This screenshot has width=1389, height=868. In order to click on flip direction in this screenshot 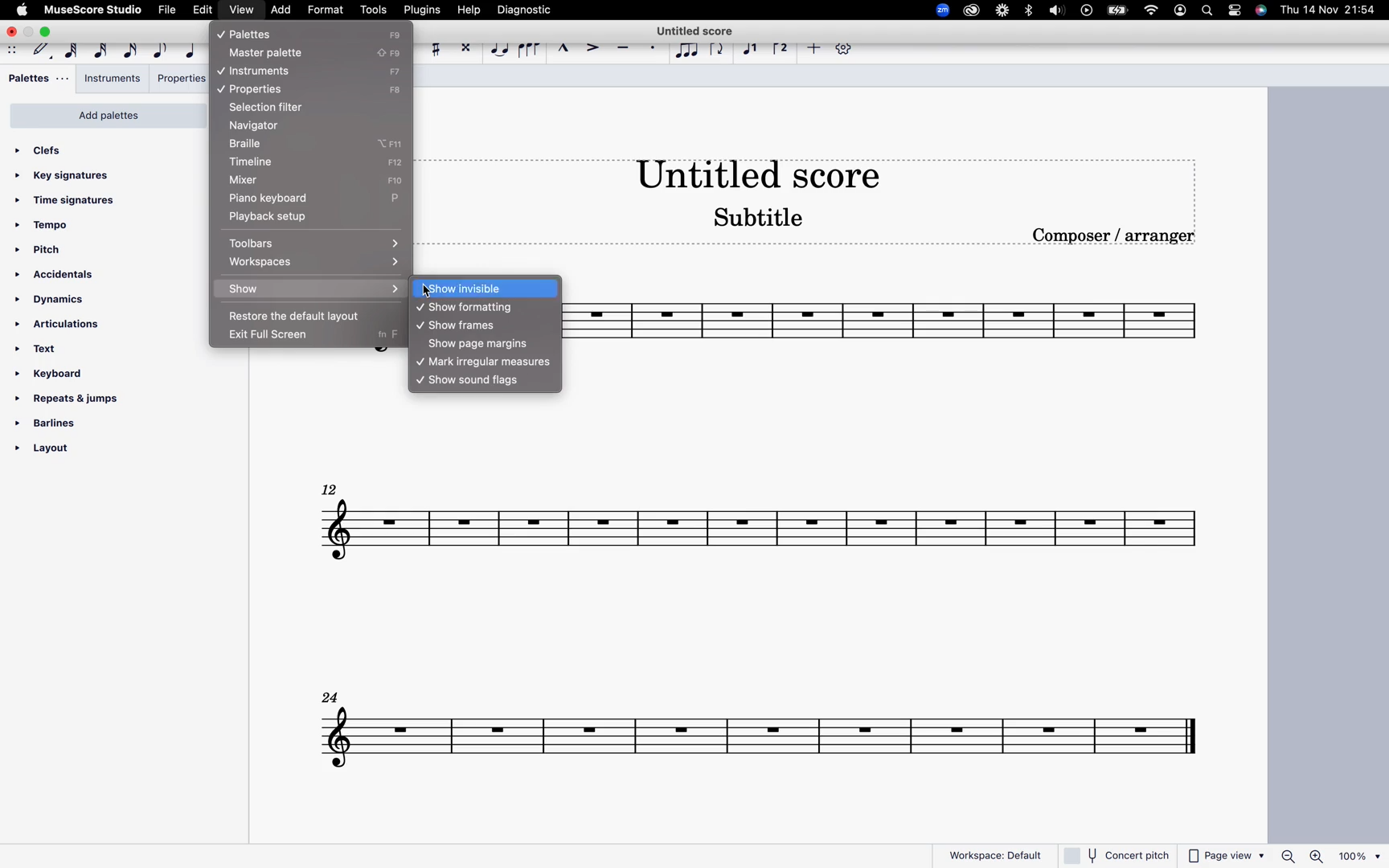, I will do `click(717, 53)`.